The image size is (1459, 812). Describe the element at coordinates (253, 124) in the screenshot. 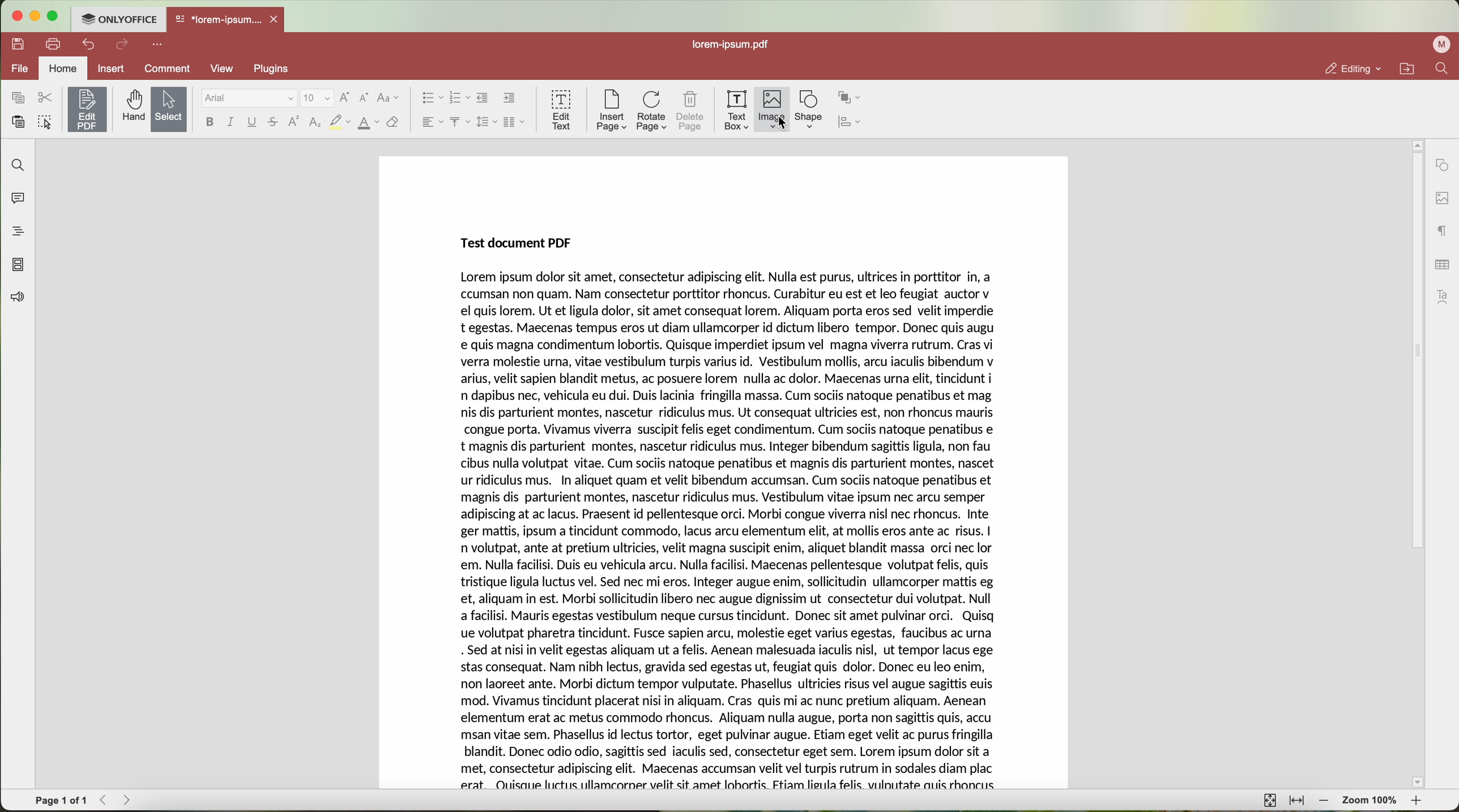

I see `underline` at that location.